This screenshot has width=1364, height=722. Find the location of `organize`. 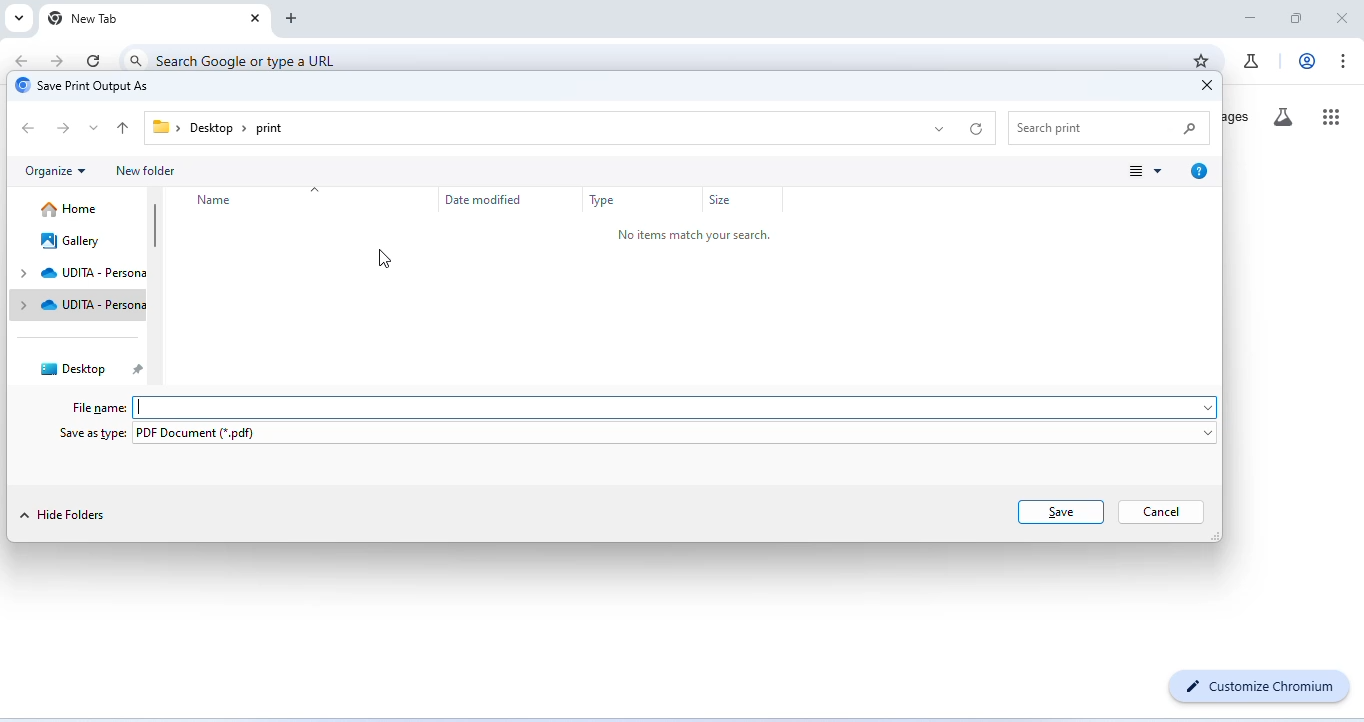

organize is located at coordinates (61, 172).